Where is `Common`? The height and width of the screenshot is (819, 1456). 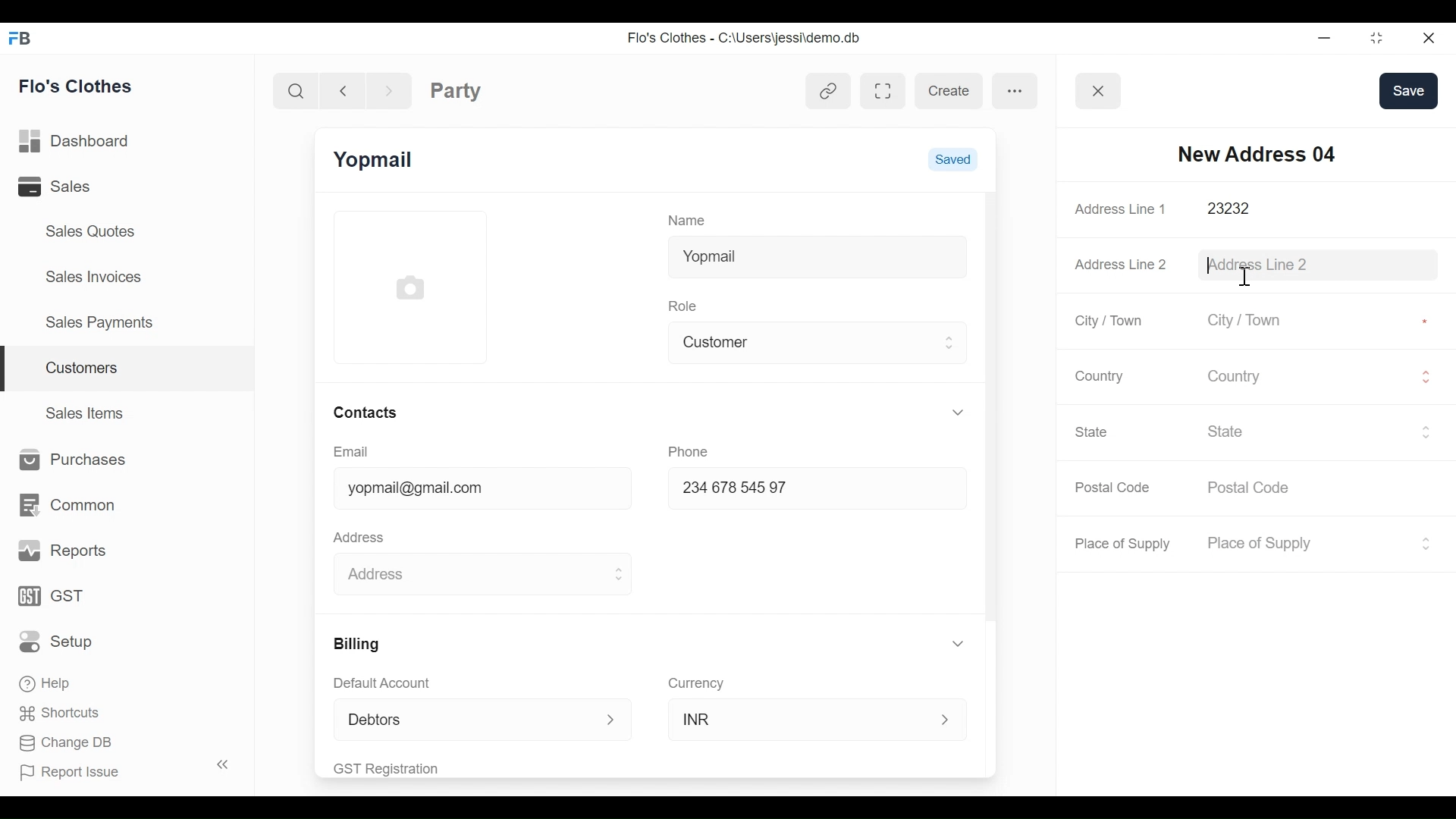
Common is located at coordinates (65, 505).